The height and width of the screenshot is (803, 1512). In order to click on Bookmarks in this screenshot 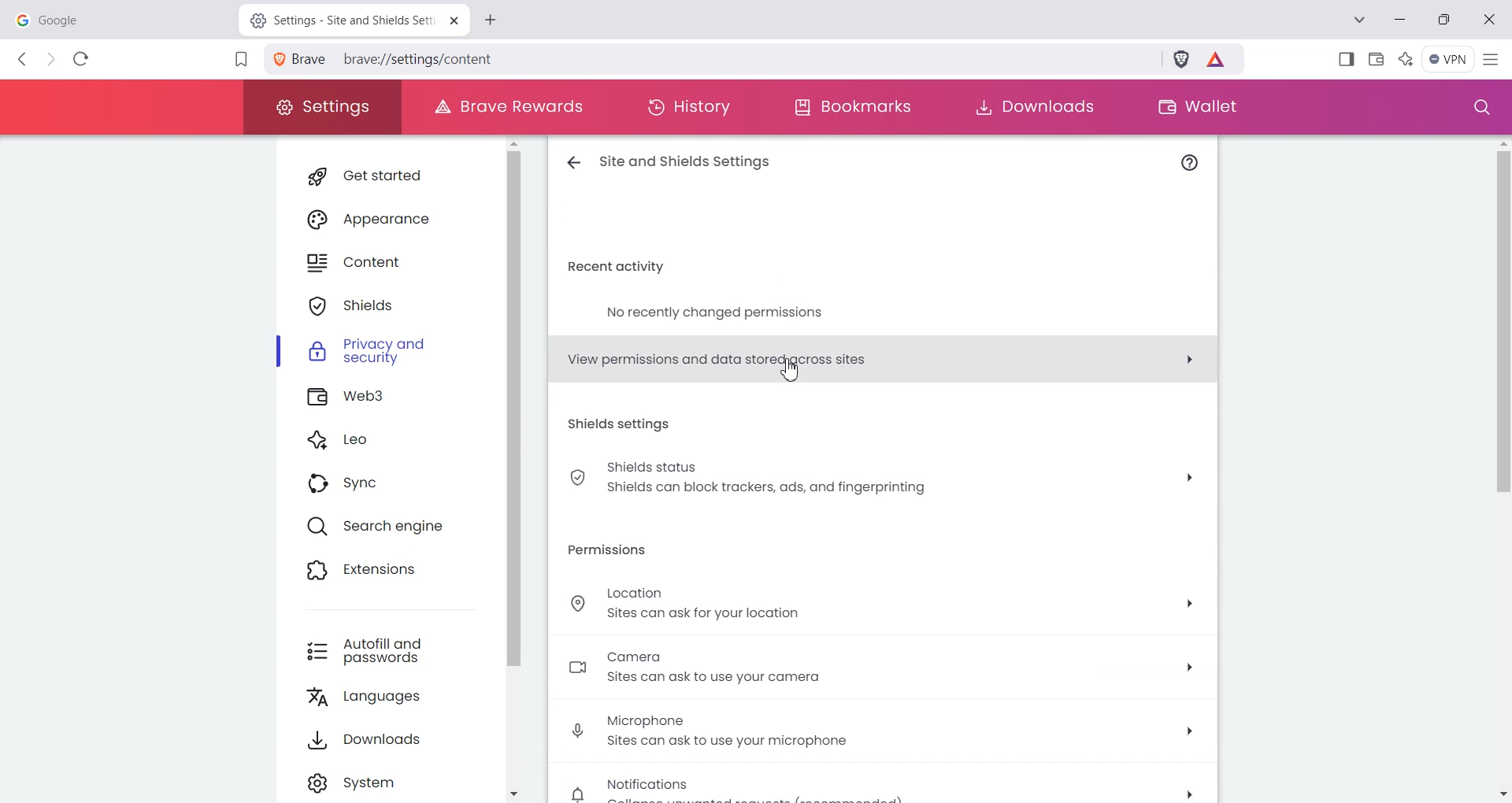, I will do `click(852, 108)`.